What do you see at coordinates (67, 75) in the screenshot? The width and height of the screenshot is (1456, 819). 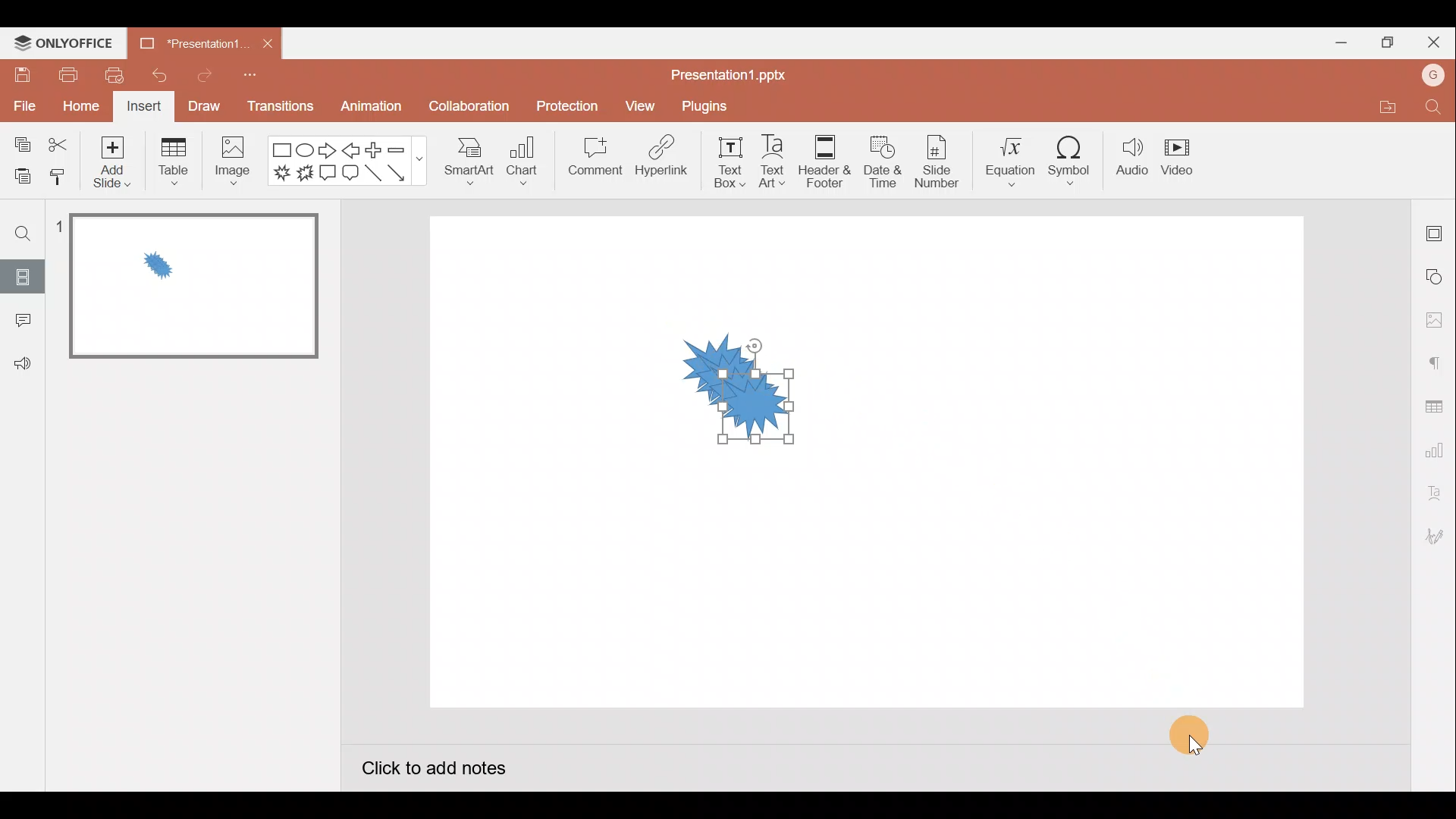 I see `Print file` at bounding box center [67, 75].